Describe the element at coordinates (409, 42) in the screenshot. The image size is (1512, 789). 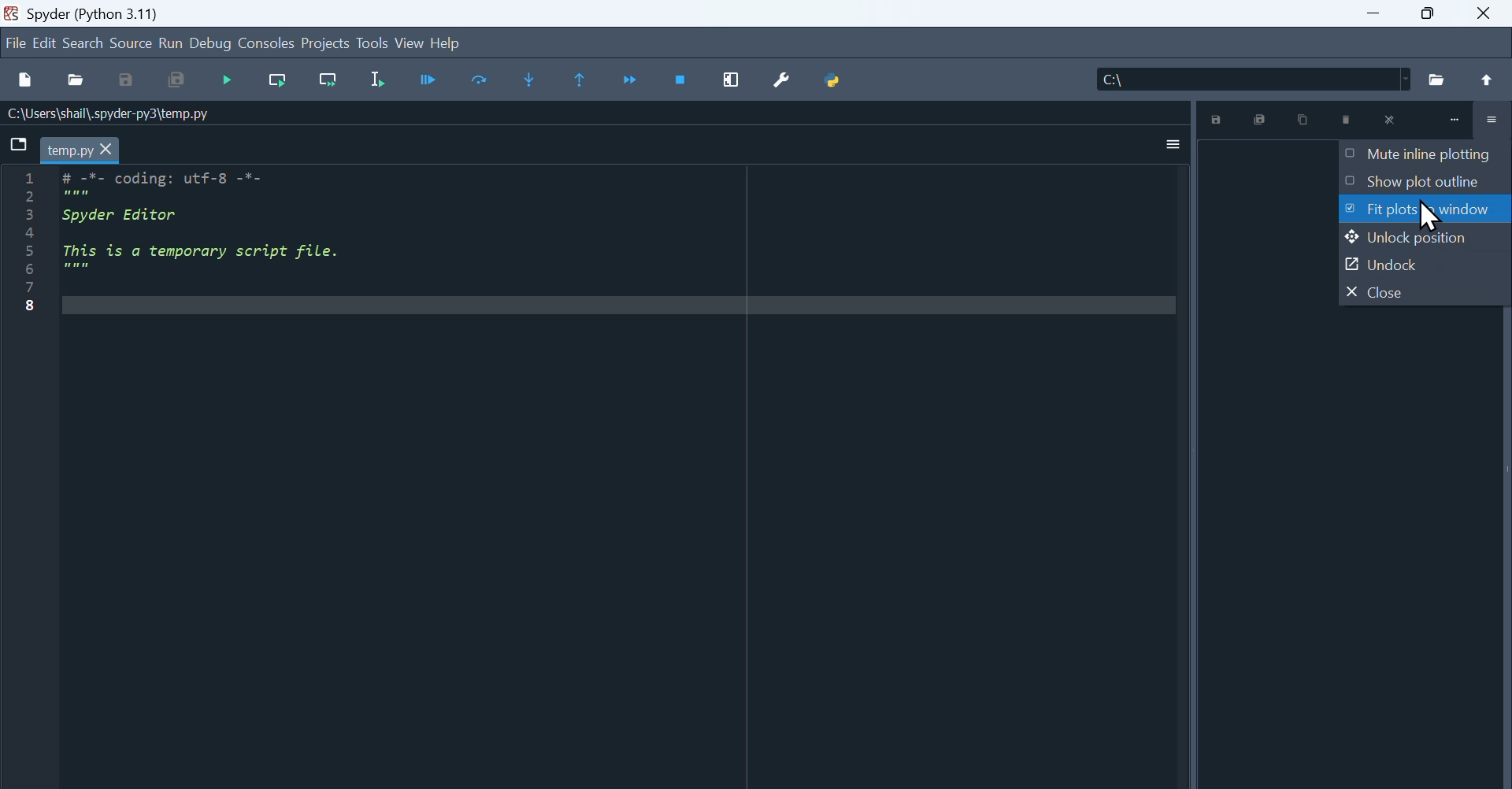
I see `View` at that location.